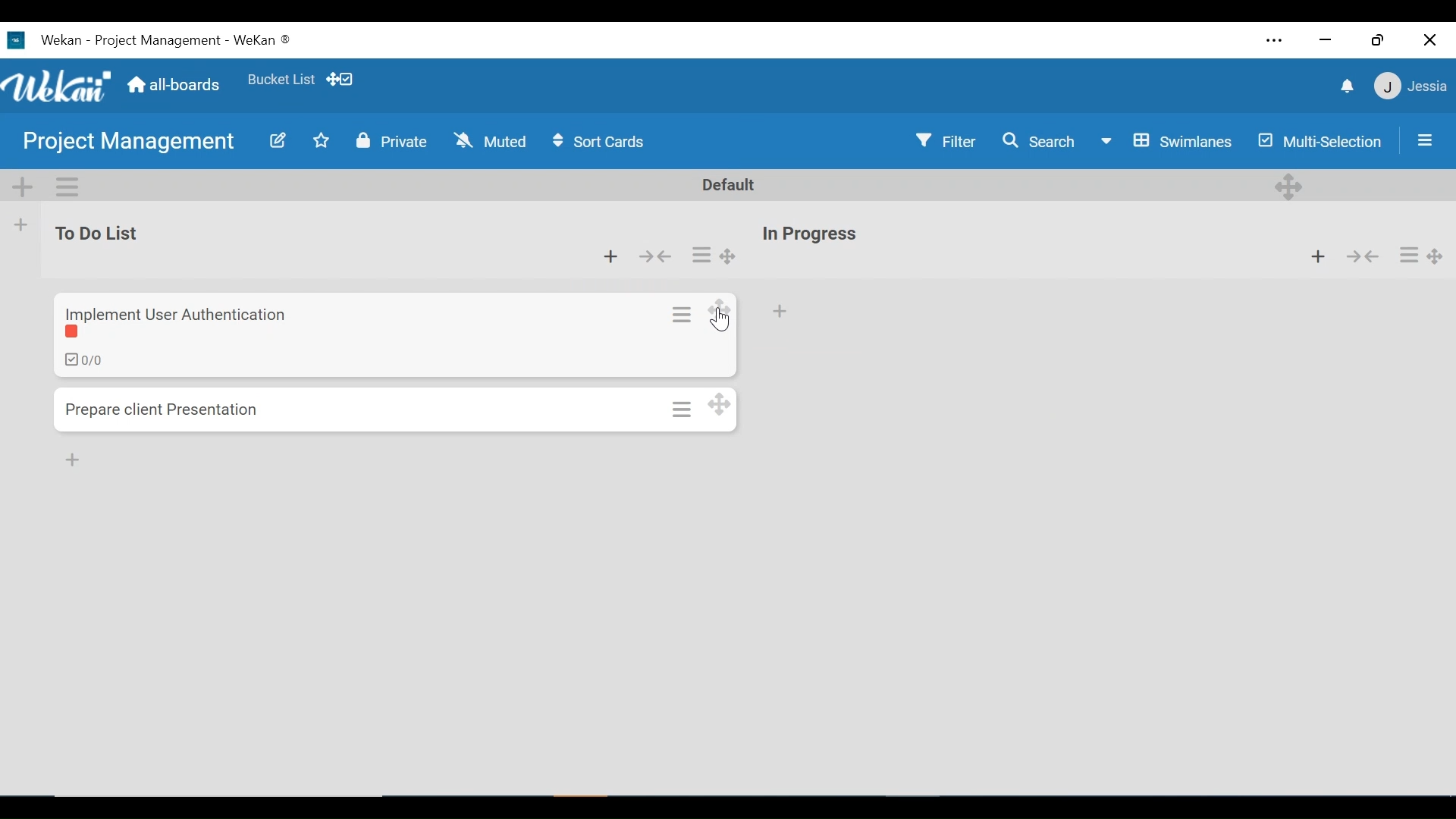 The width and height of the screenshot is (1456, 819). Describe the element at coordinates (188, 38) in the screenshot. I see `Wekan - project management - wekan` at that location.